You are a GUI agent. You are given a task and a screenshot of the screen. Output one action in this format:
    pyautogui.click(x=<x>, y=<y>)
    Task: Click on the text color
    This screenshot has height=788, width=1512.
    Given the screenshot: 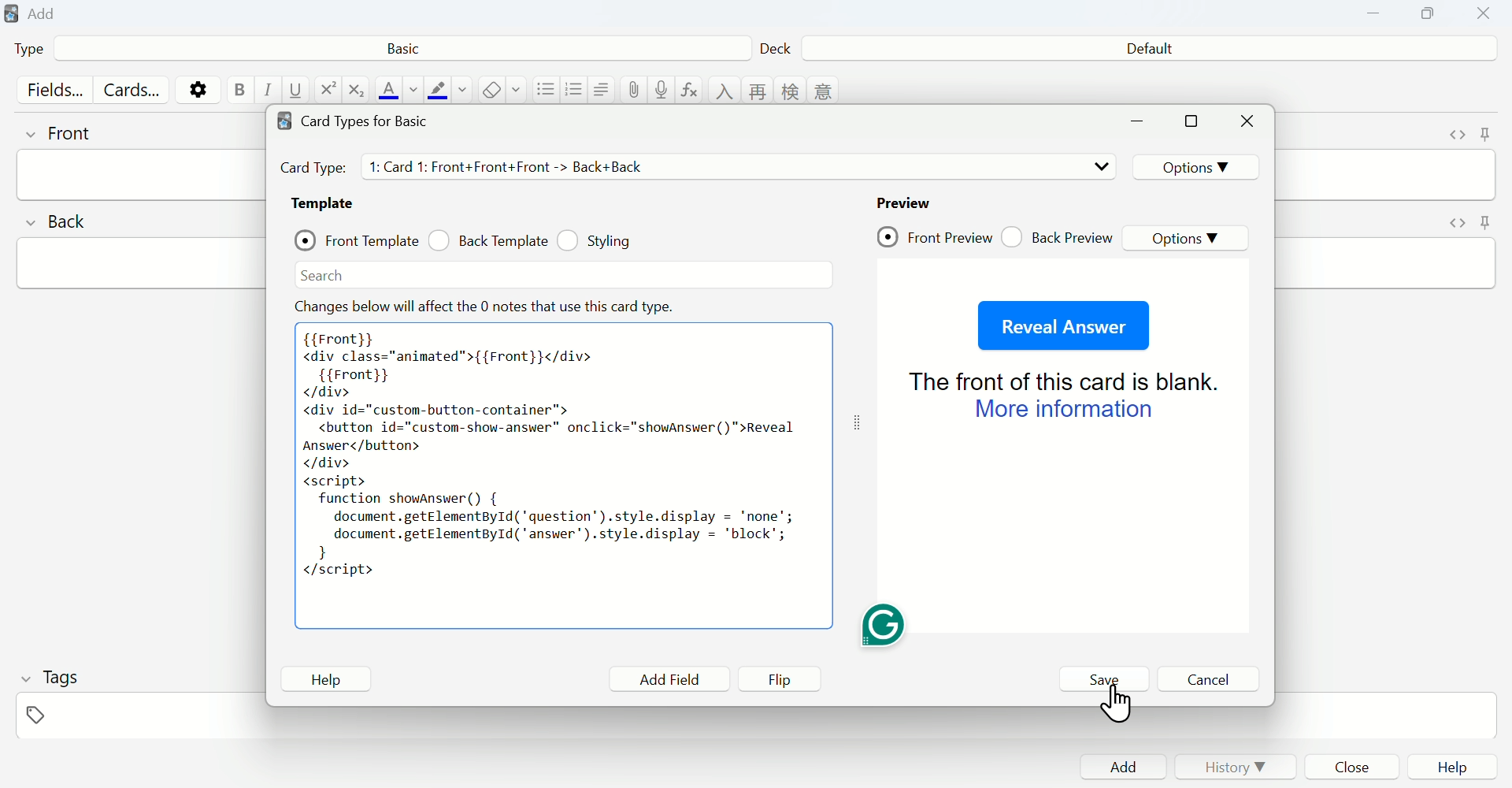 What is the action you would take?
    pyautogui.click(x=389, y=90)
    